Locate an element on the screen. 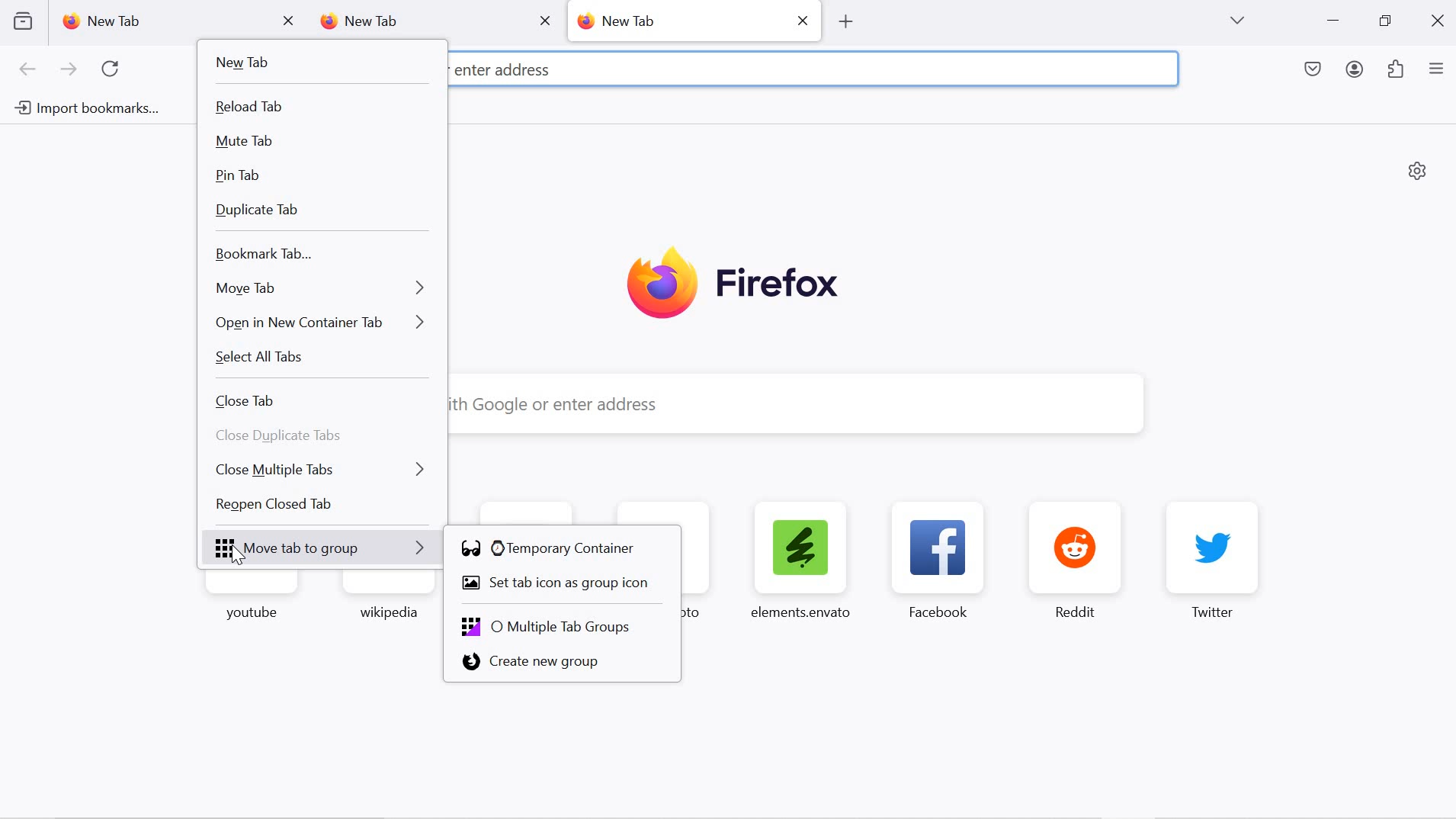 This screenshot has height=819, width=1456. account is located at coordinates (1357, 72).